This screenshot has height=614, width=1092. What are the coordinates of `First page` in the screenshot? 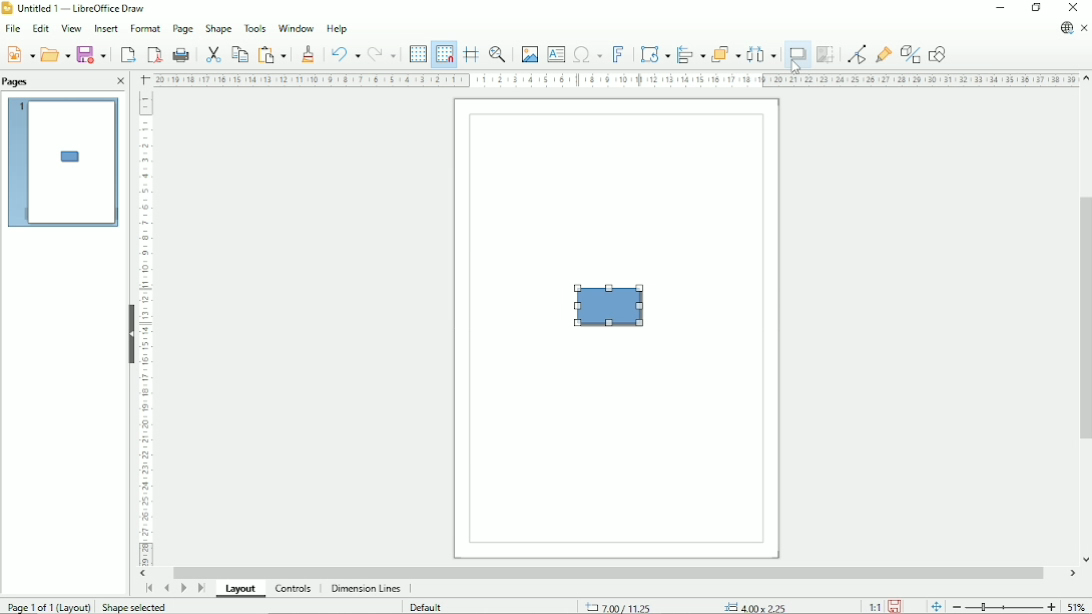 It's located at (148, 588).